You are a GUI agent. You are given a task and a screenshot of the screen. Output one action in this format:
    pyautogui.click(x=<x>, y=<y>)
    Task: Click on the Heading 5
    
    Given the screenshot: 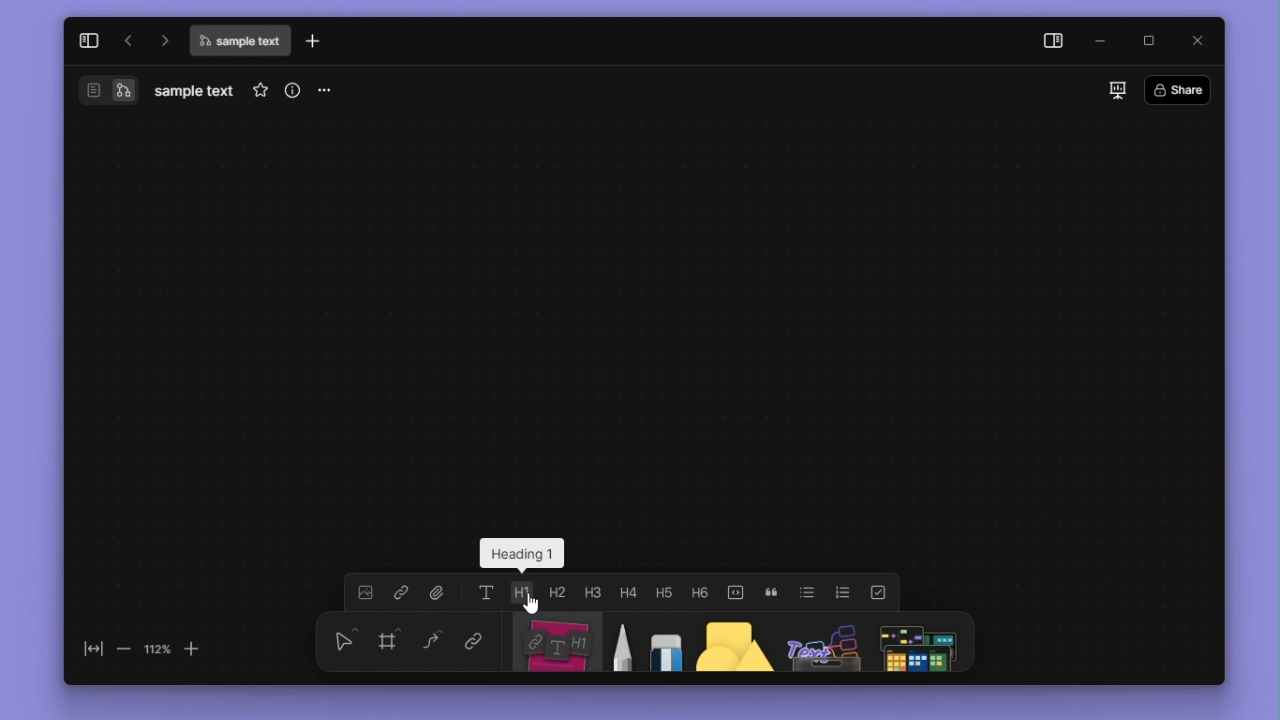 What is the action you would take?
    pyautogui.click(x=664, y=592)
    